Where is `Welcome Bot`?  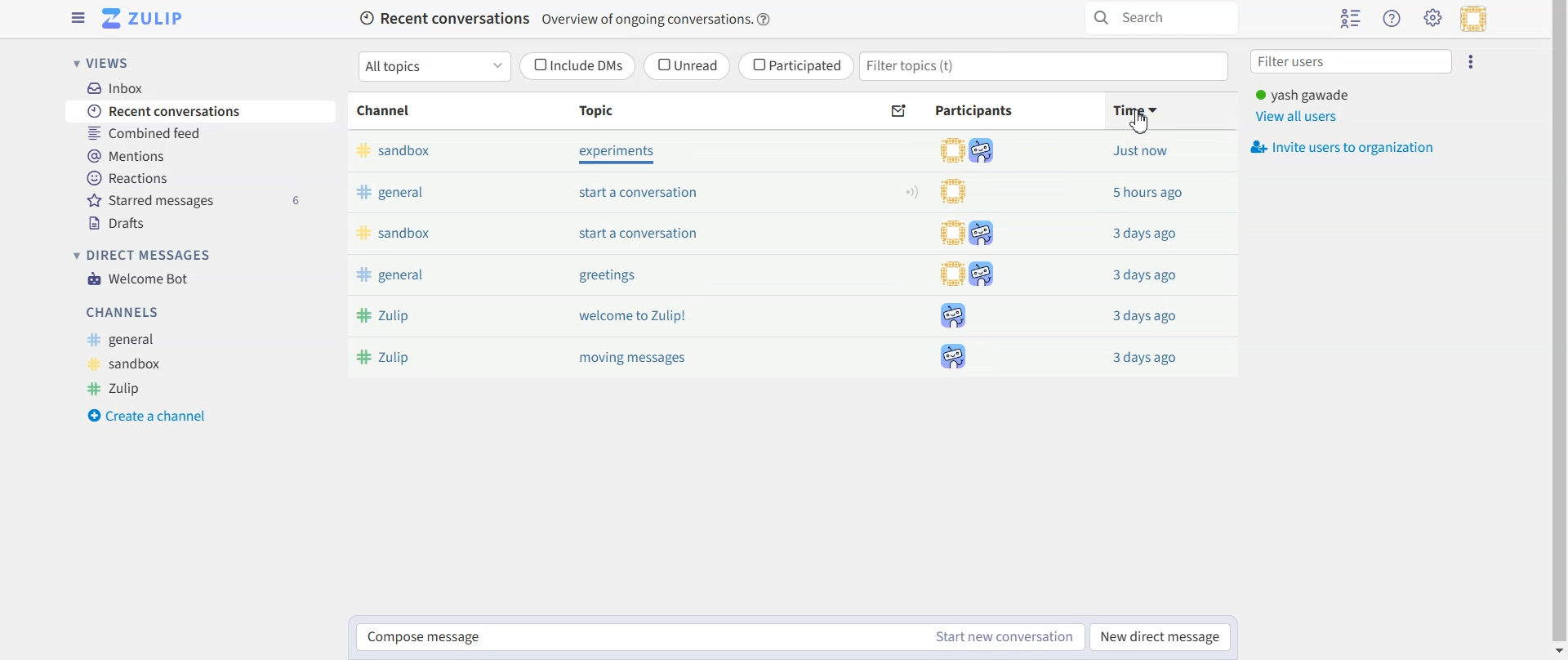 Welcome Bot is located at coordinates (140, 279).